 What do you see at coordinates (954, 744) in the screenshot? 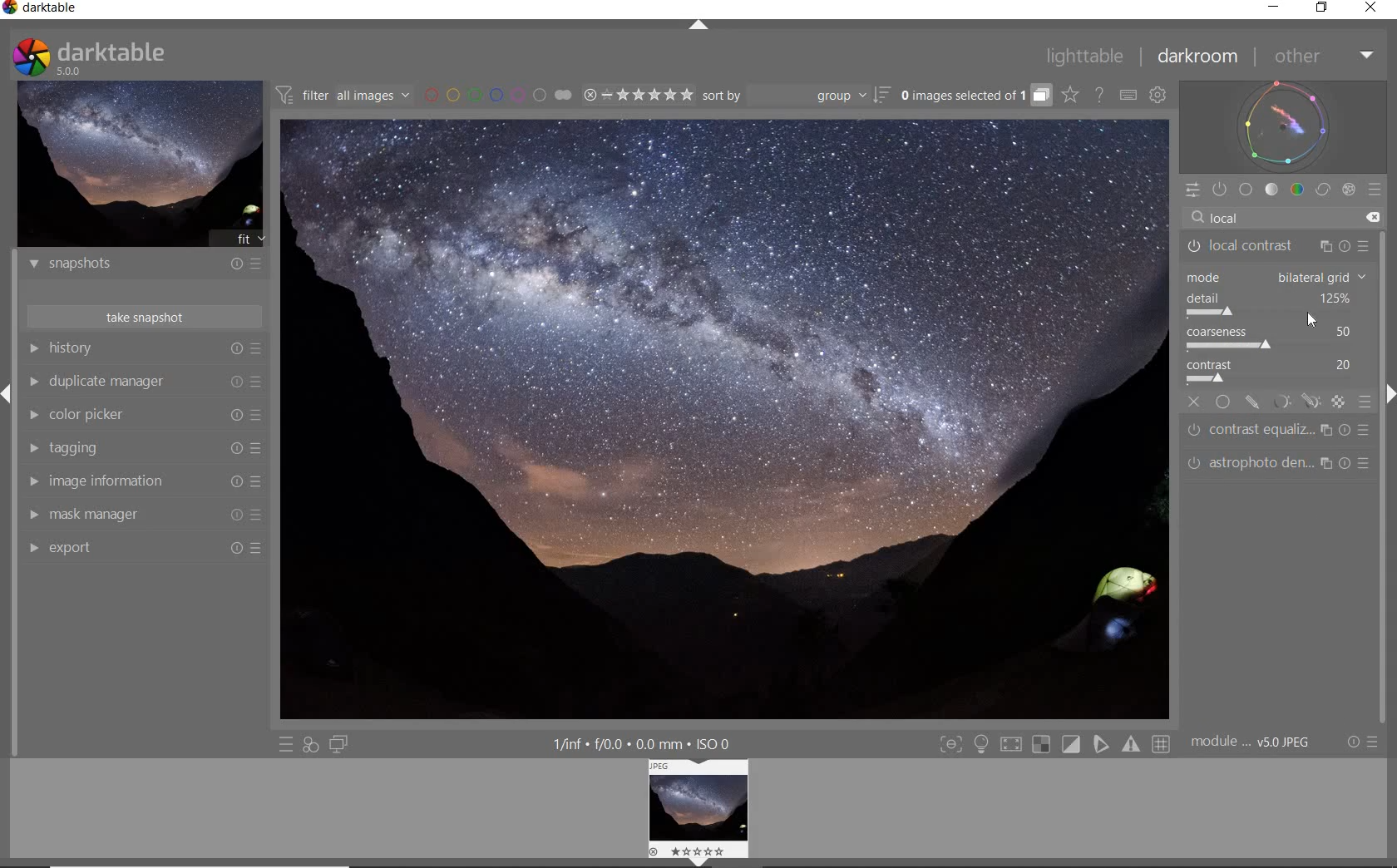
I see `toggle focus-peaking mode` at bounding box center [954, 744].